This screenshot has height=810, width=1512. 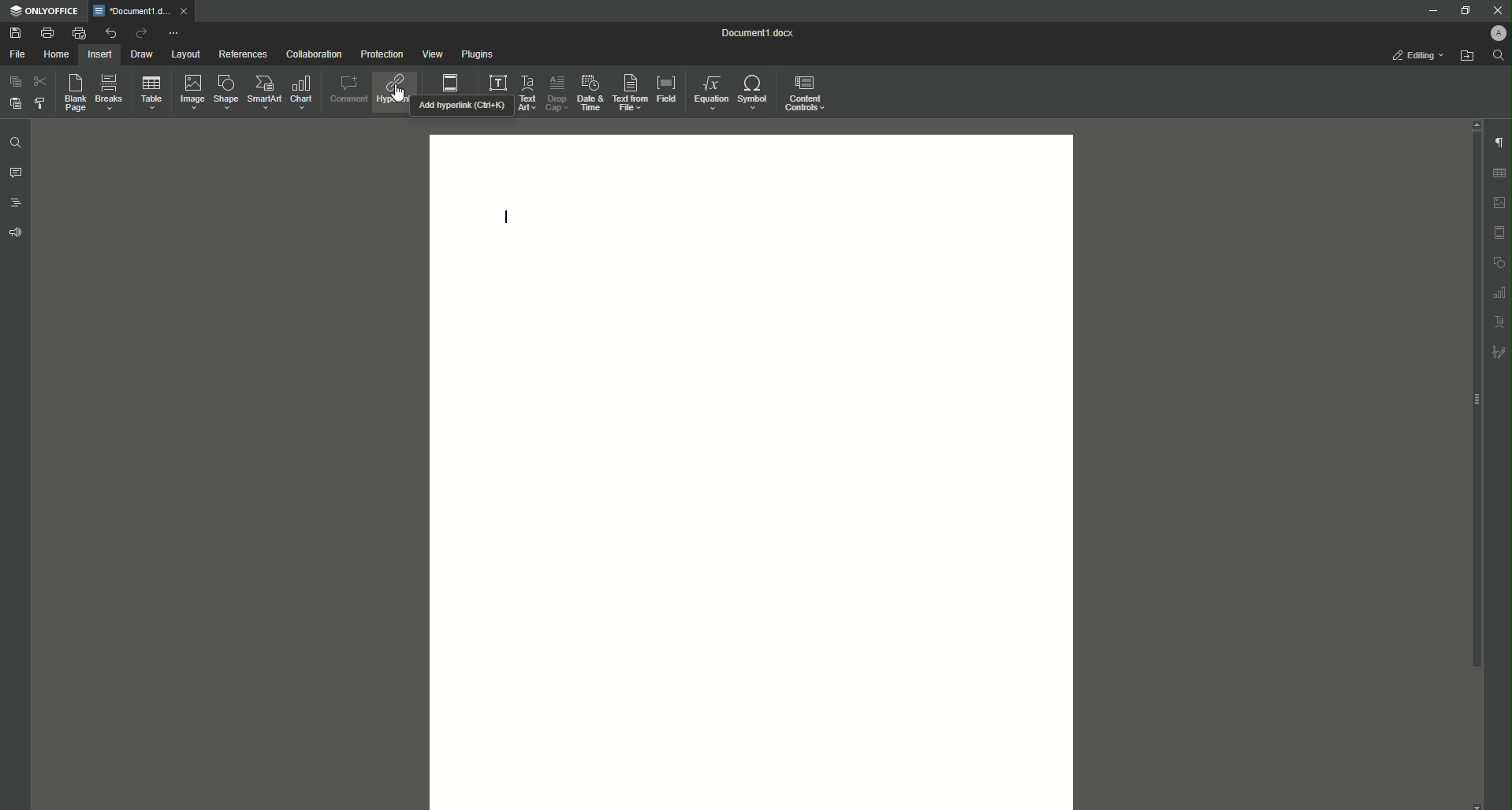 What do you see at coordinates (266, 92) in the screenshot?
I see `SmartArt` at bounding box center [266, 92].